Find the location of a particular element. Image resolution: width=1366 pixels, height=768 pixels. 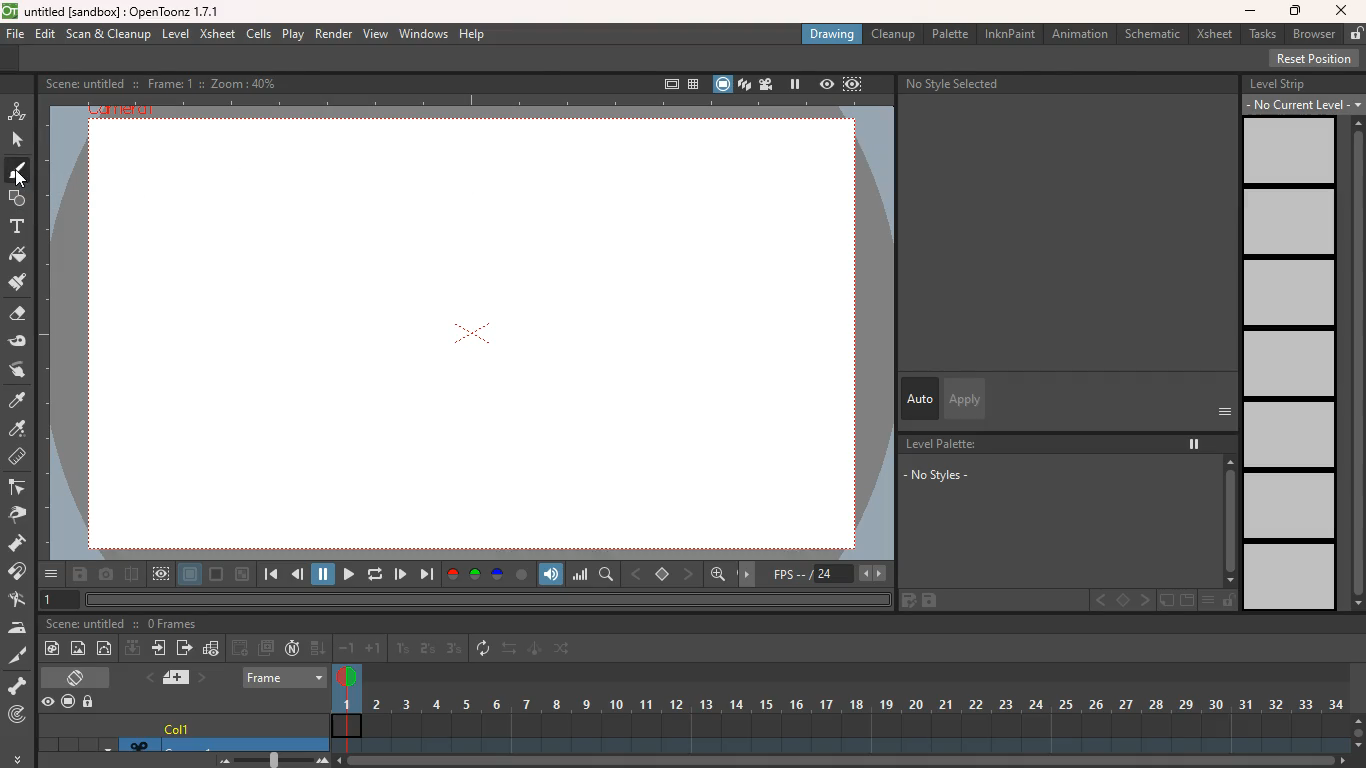

animate is located at coordinates (535, 650).